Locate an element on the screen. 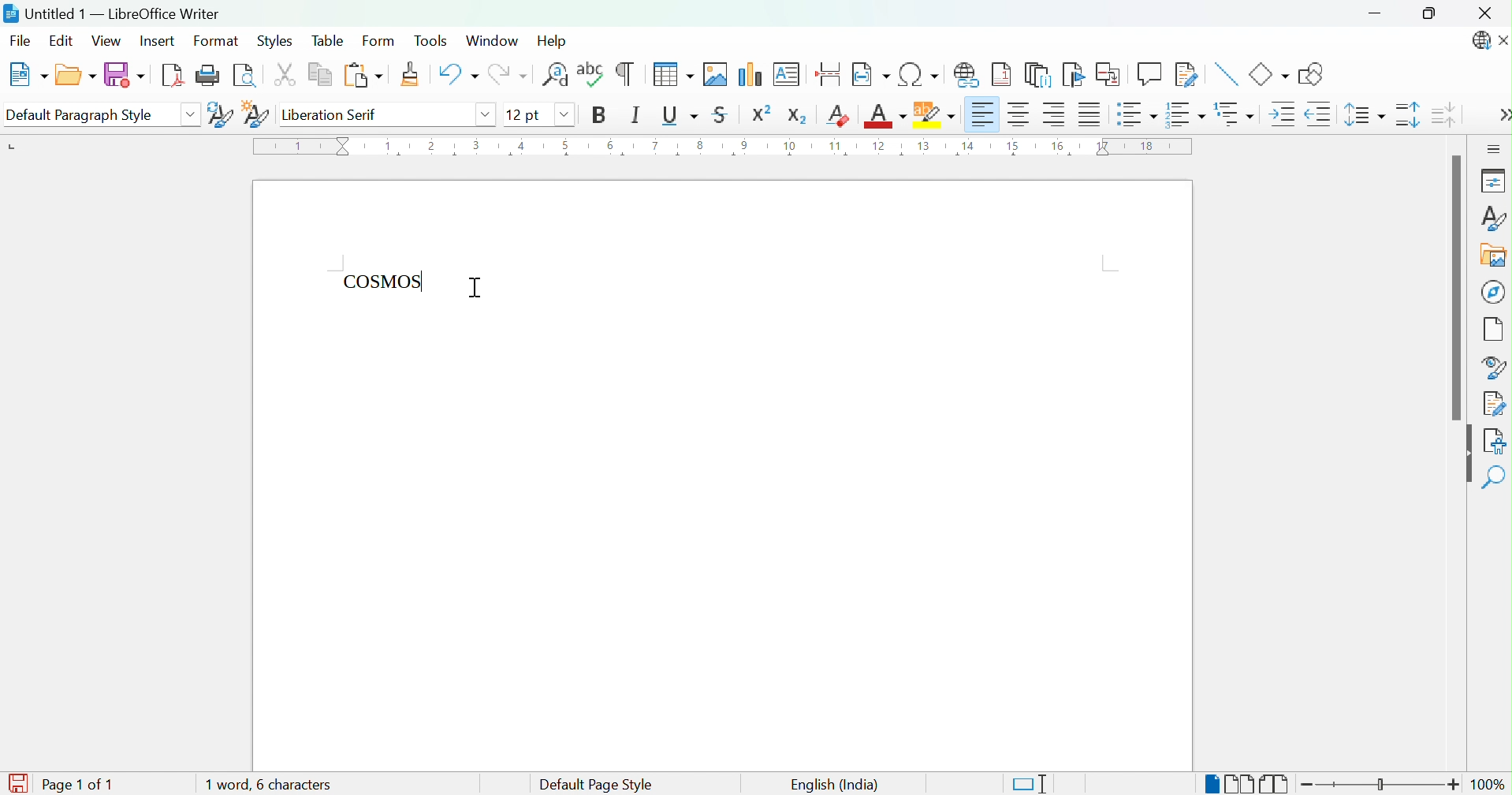  Update Selected Style is located at coordinates (218, 114).